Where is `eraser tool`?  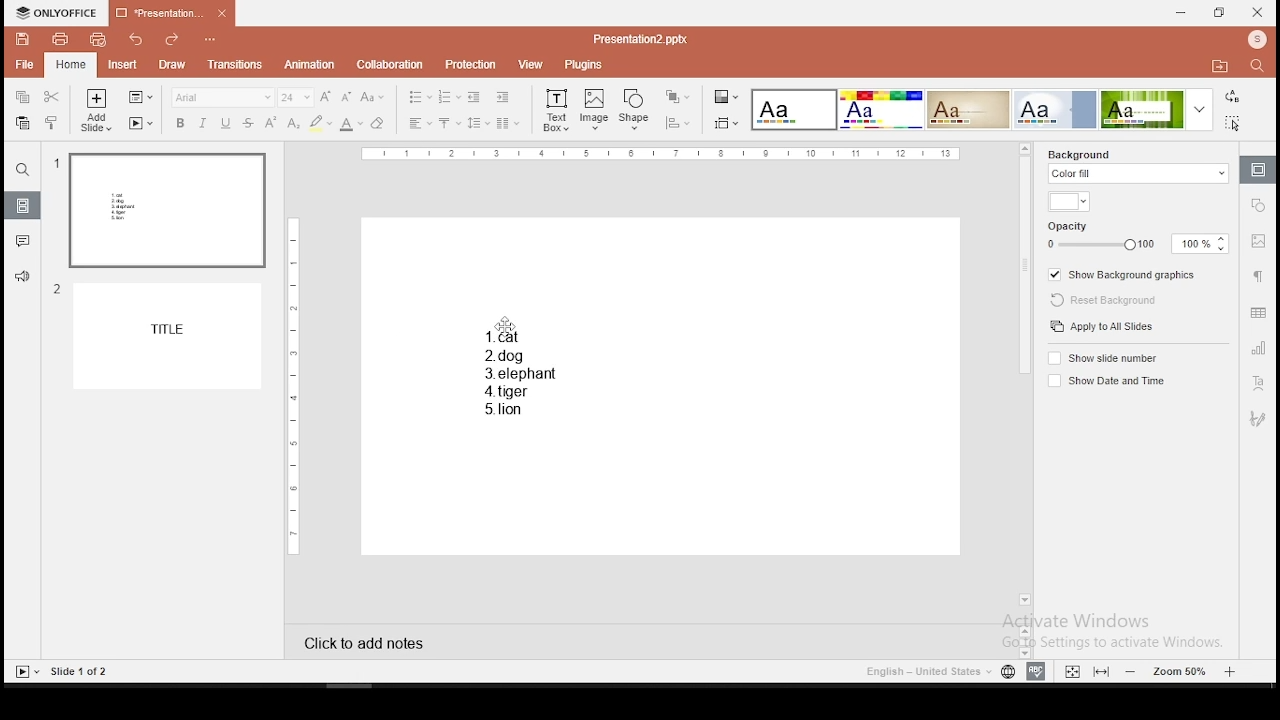
eraser tool is located at coordinates (380, 123).